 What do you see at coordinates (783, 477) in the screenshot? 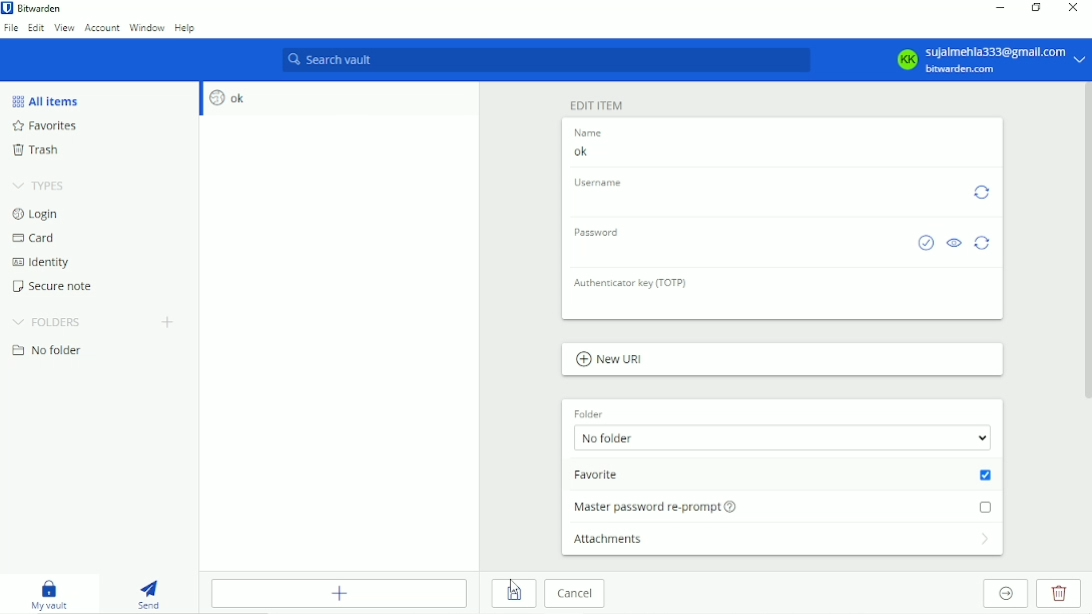
I see `Favorite` at bounding box center [783, 477].